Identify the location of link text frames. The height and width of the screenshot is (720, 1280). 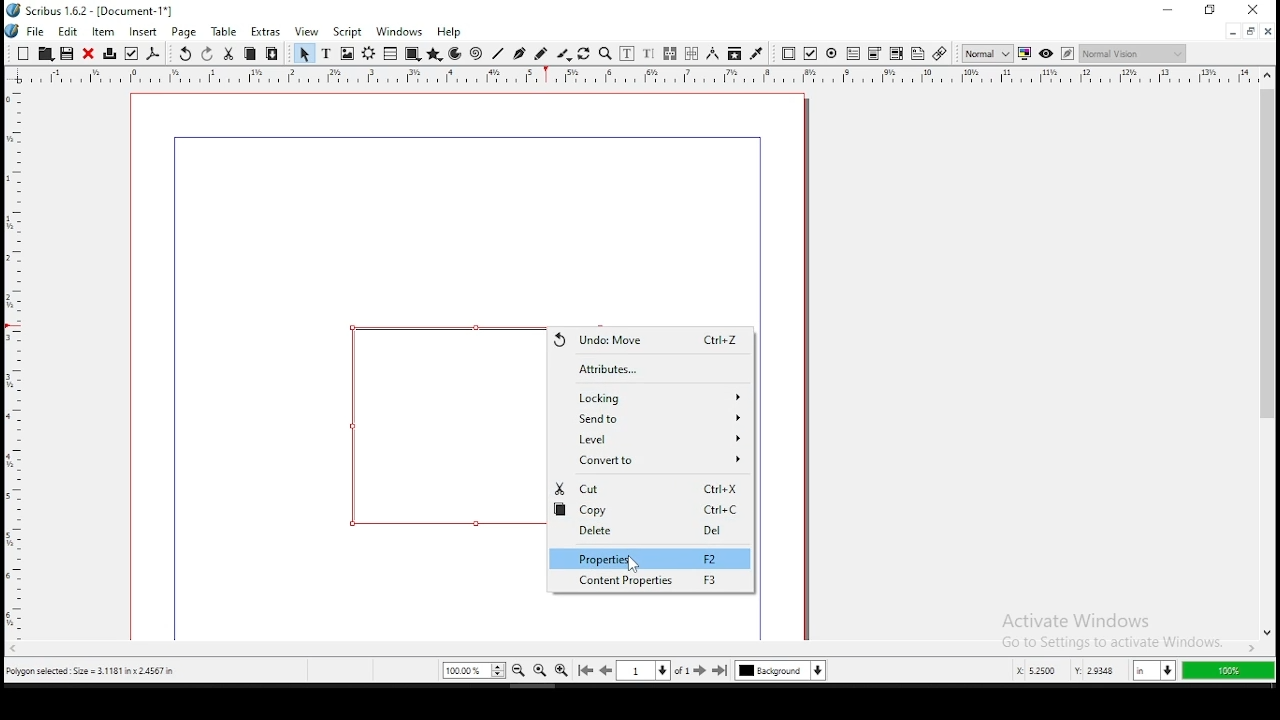
(670, 54).